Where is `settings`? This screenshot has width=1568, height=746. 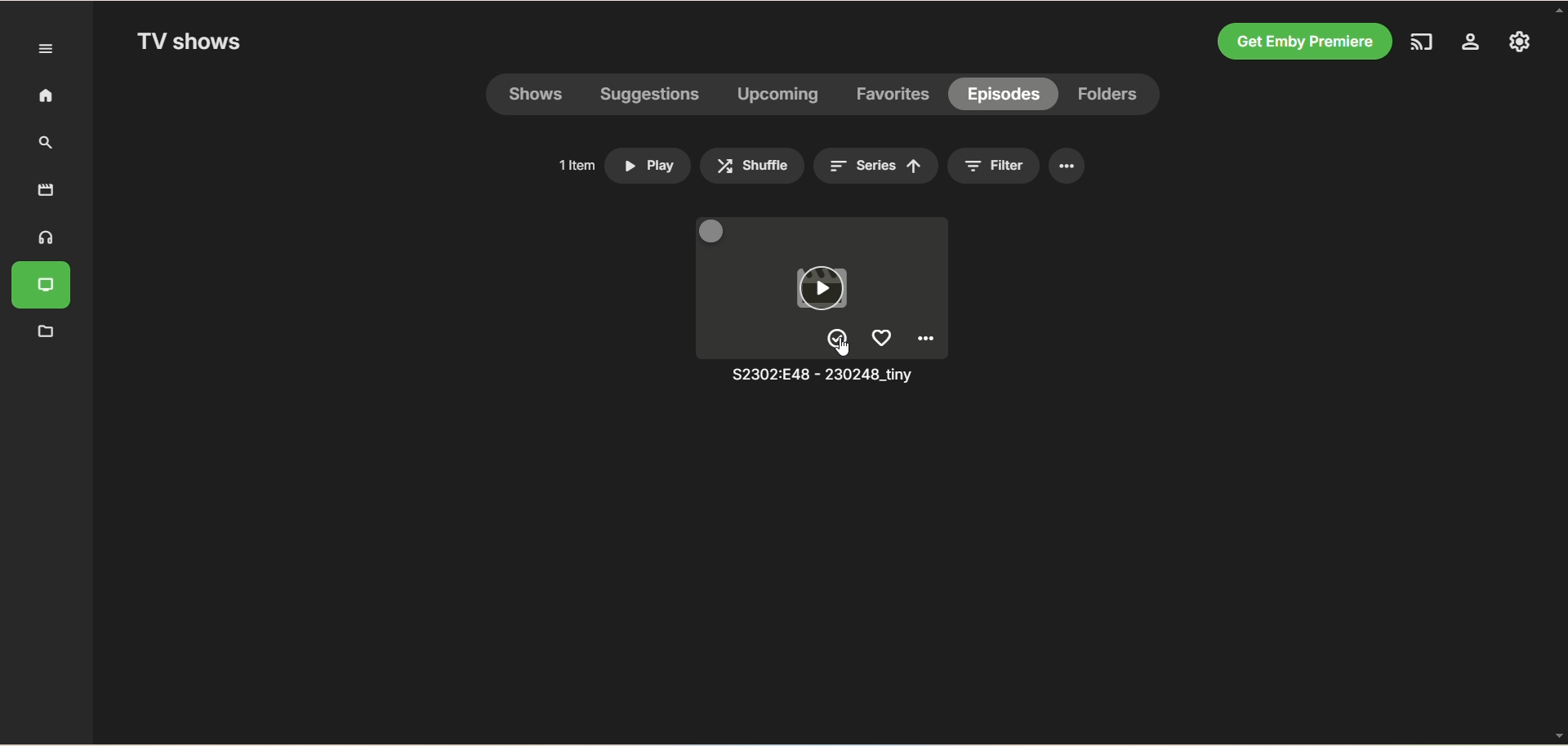
settings is located at coordinates (971, 167).